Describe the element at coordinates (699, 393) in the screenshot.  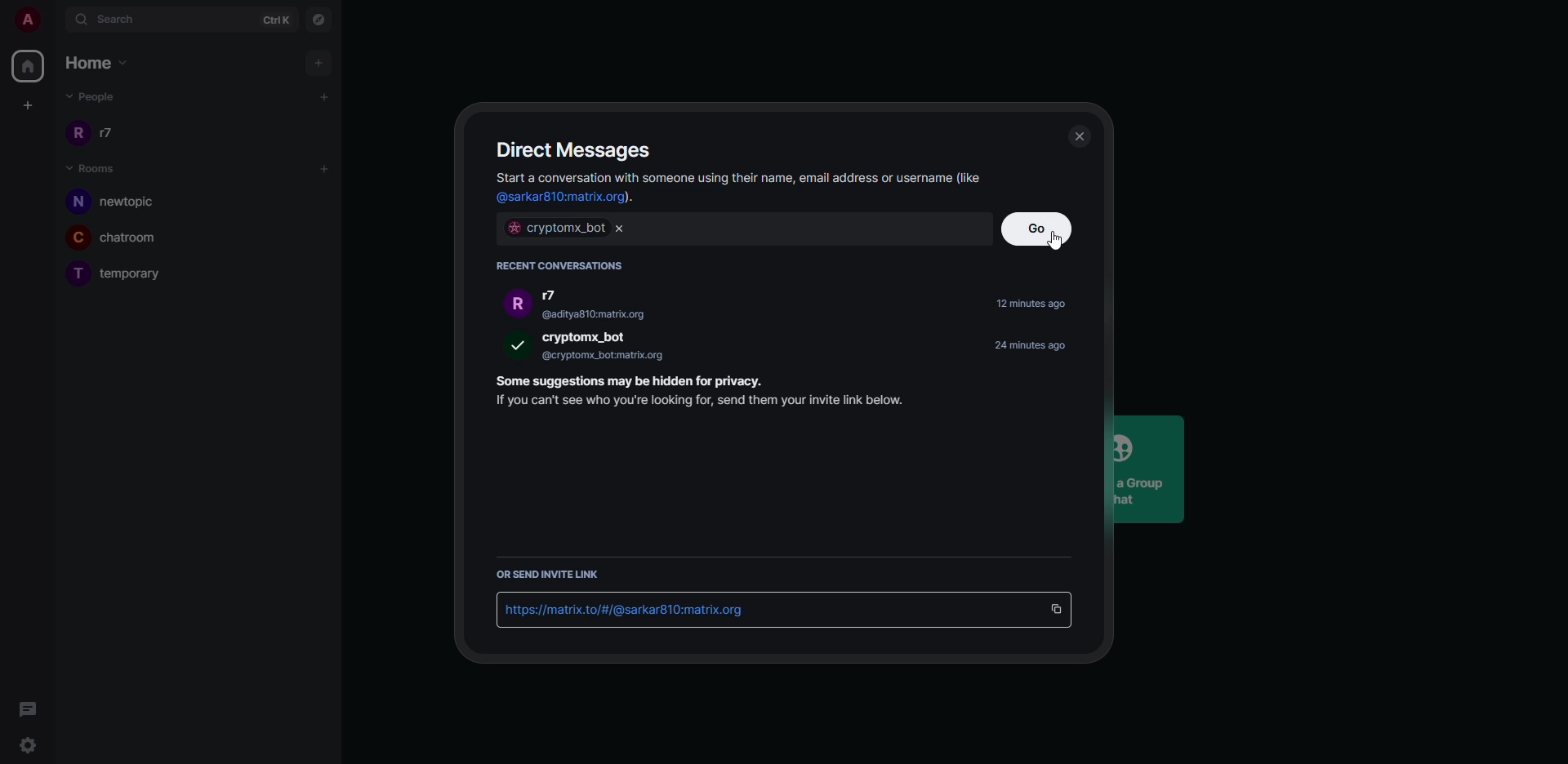
I see `info` at that location.